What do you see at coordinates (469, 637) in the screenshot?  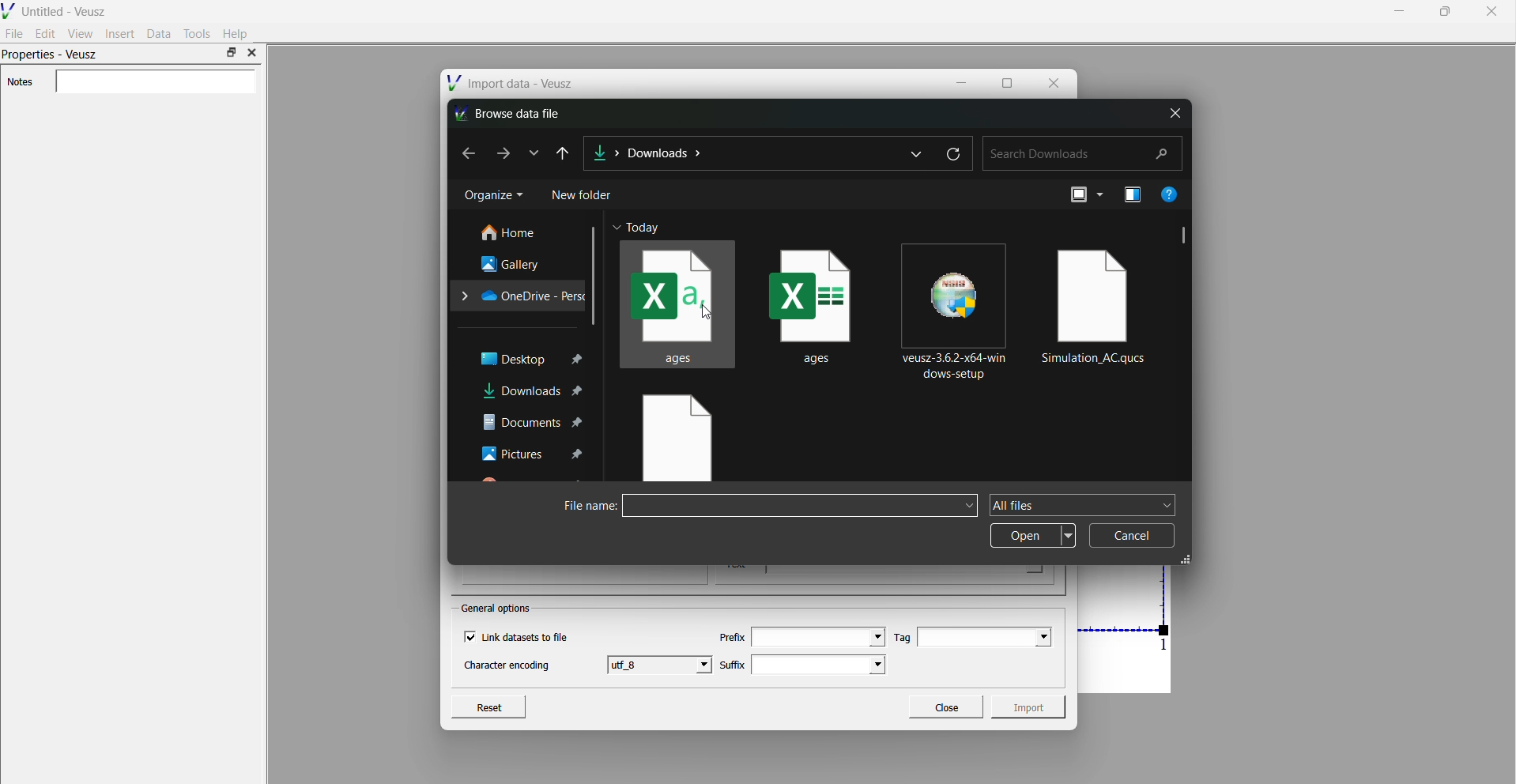 I see `checkbox` at bounding box center [469, 637].